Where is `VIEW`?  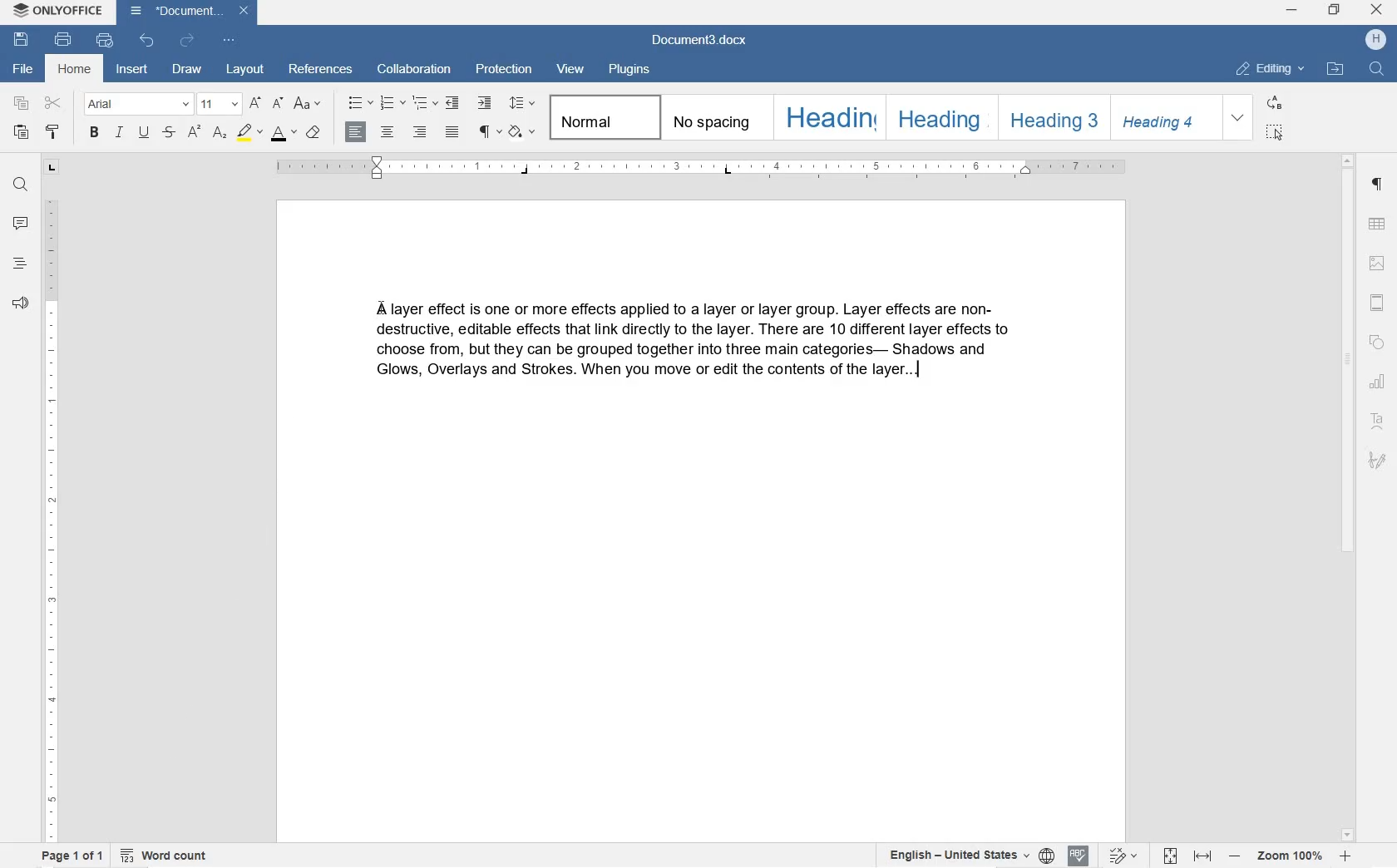 VIEW is located at coordinates (574, 70).